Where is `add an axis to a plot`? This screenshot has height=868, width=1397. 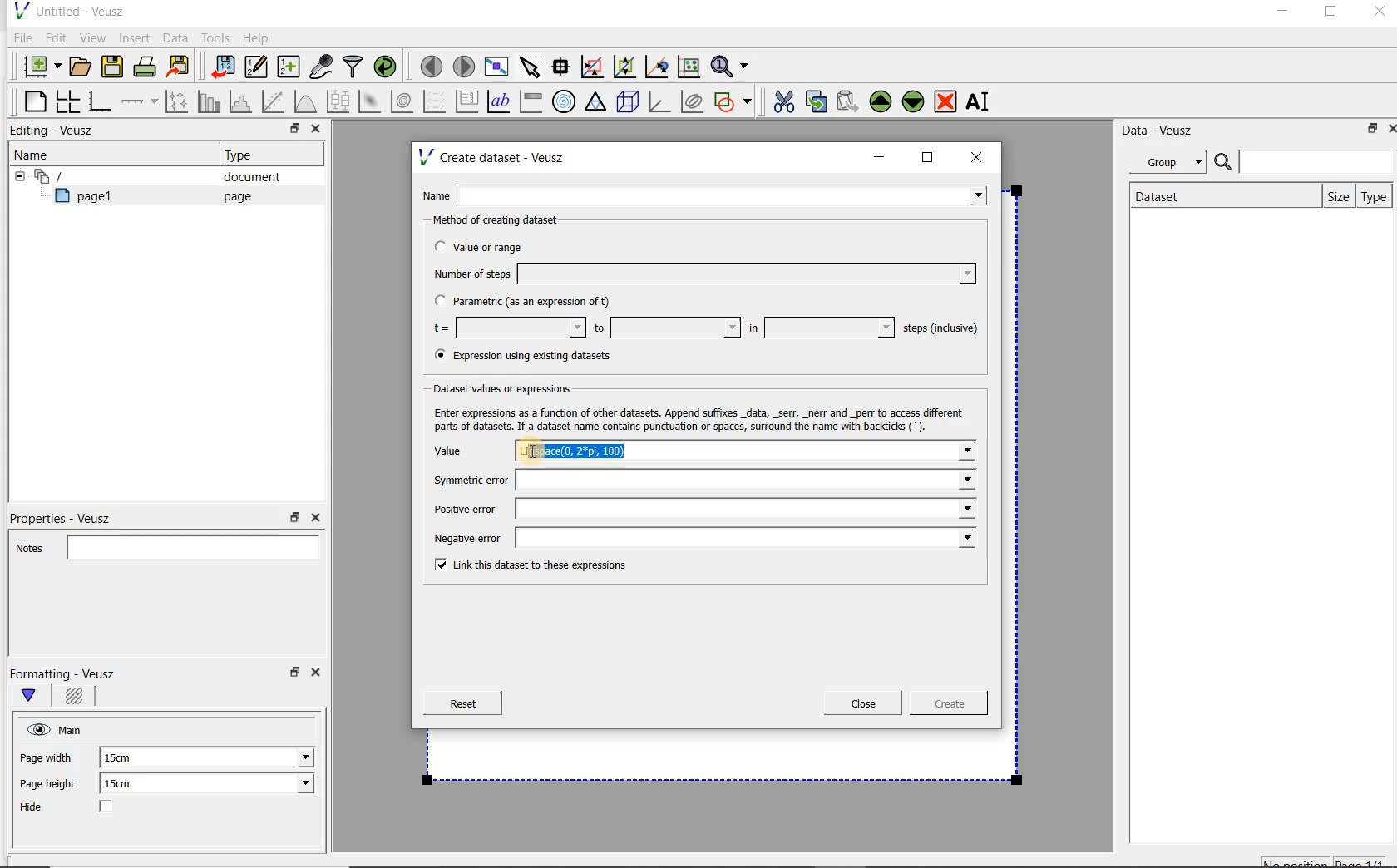 add an axis to a plot is located at coordinates (141, 101).